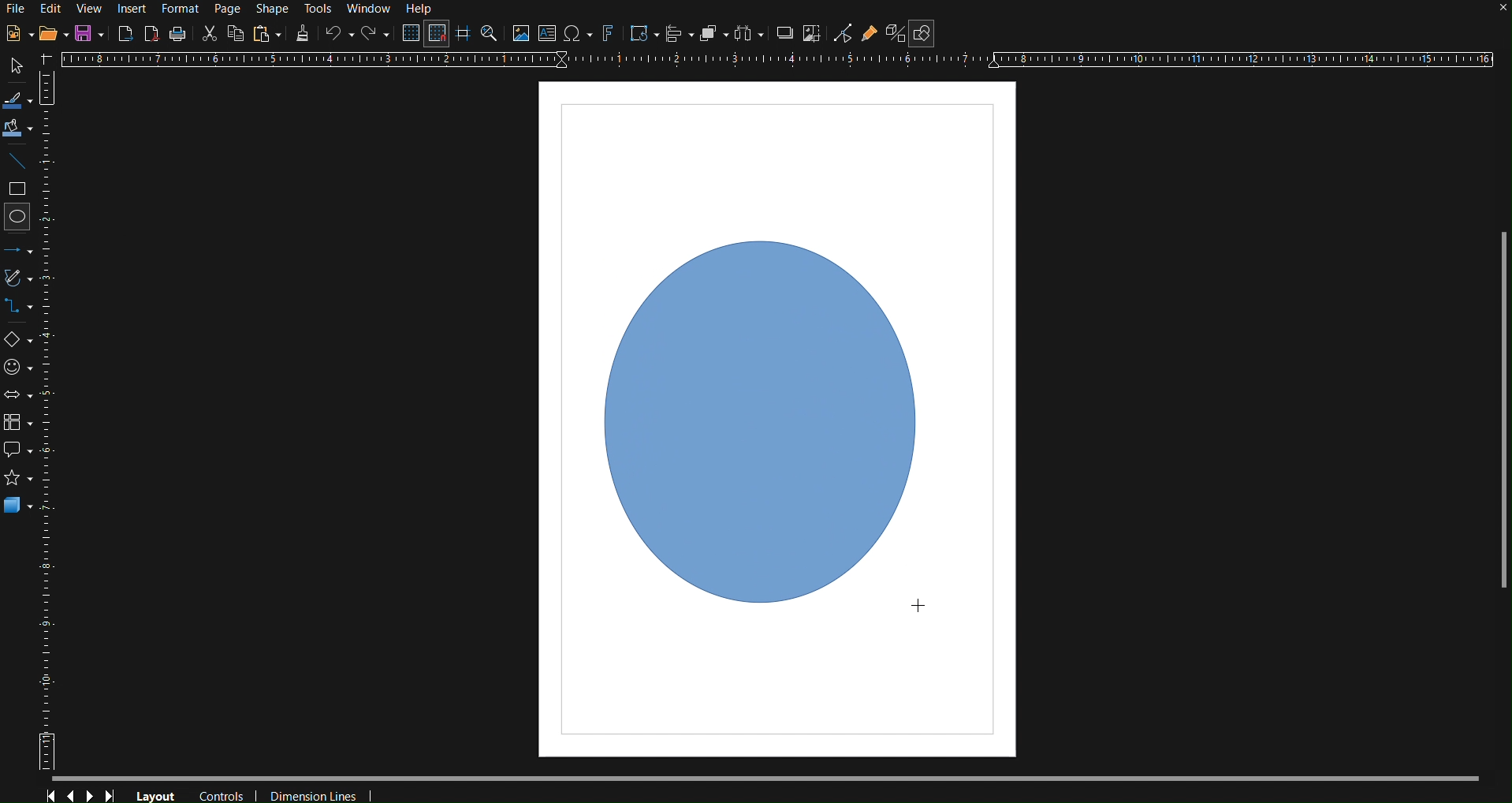 Image resolution: width=1512 pixels, height=803 pixels. What do you see at coordinates (766, 416) in the screenshot?
I see `Circle (dragged)` at bounding box center [766, 416].